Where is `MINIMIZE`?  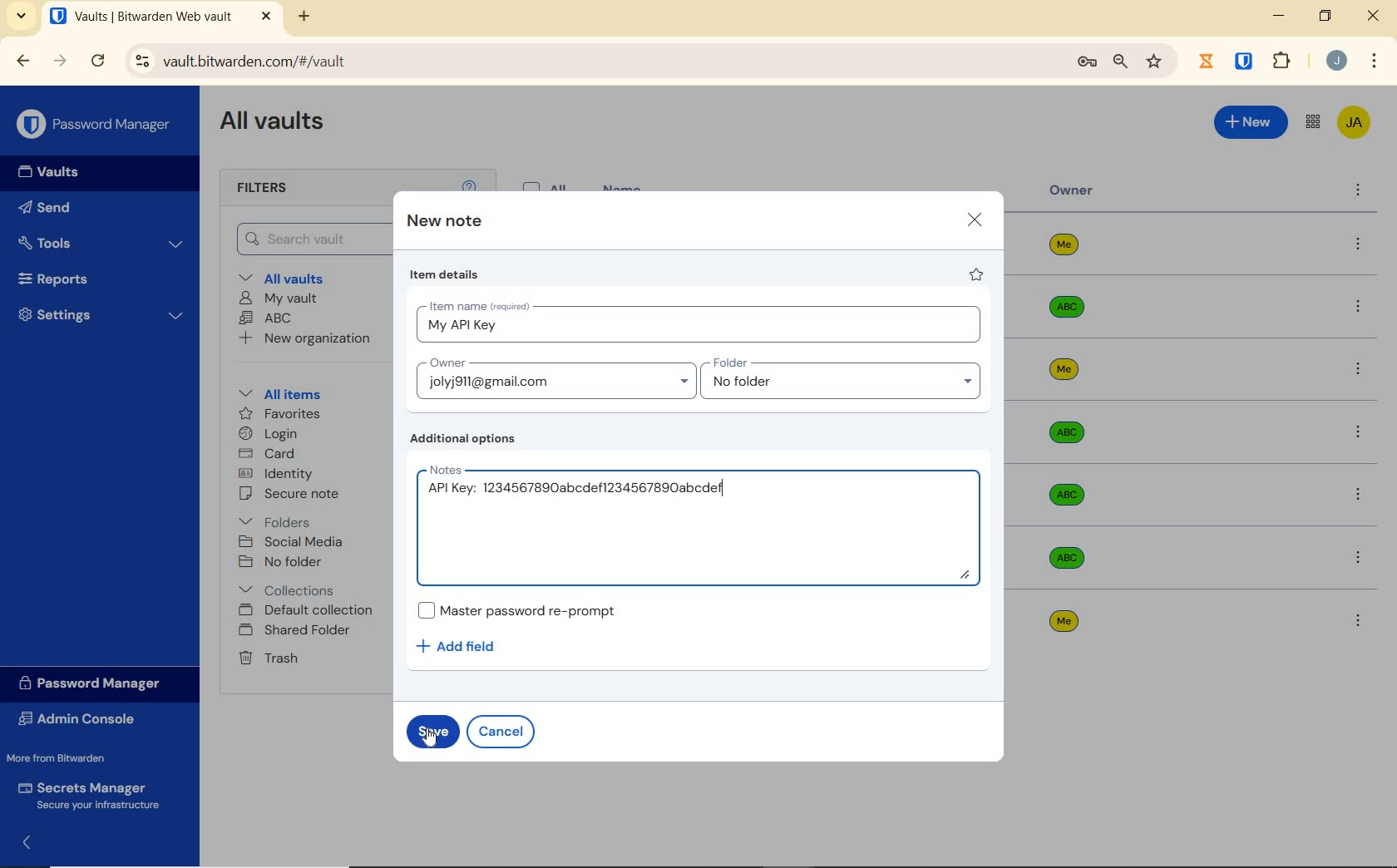 MINIMIZE is located at coordinates (1281, 17).